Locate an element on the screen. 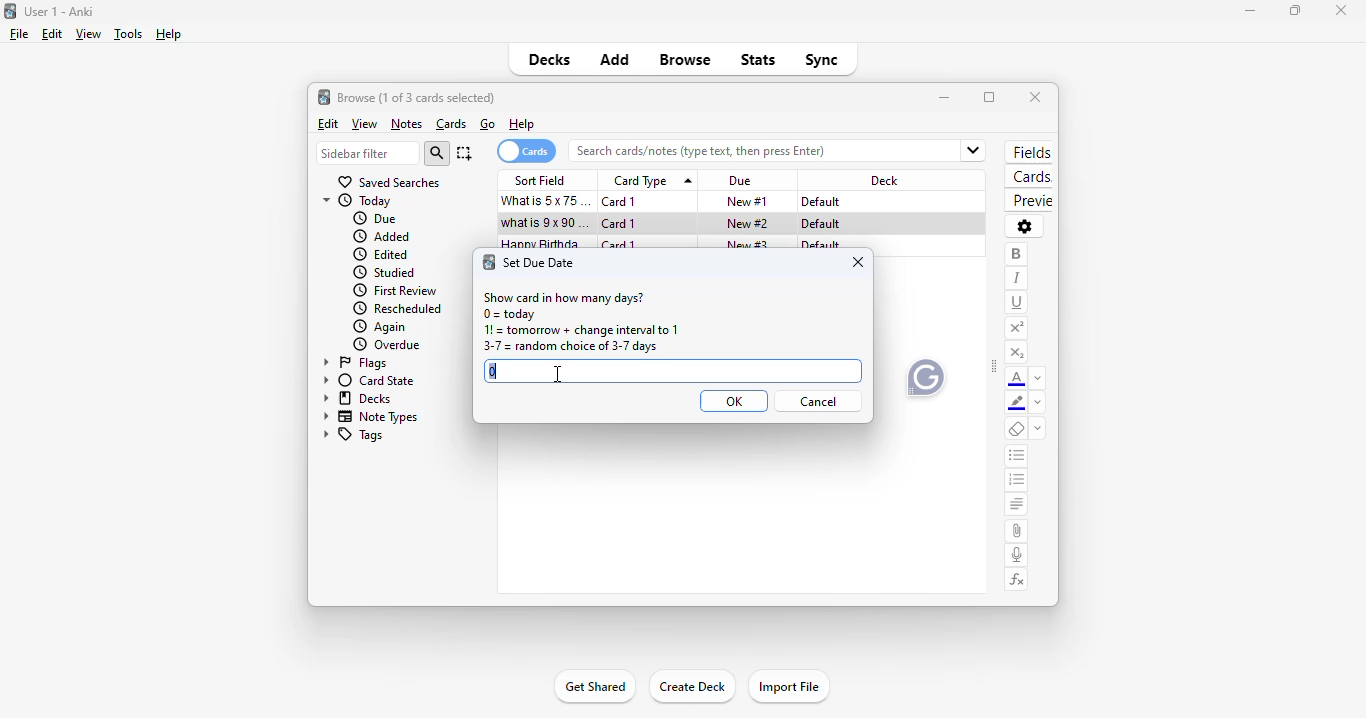  select is located at coordinates (464, 153).